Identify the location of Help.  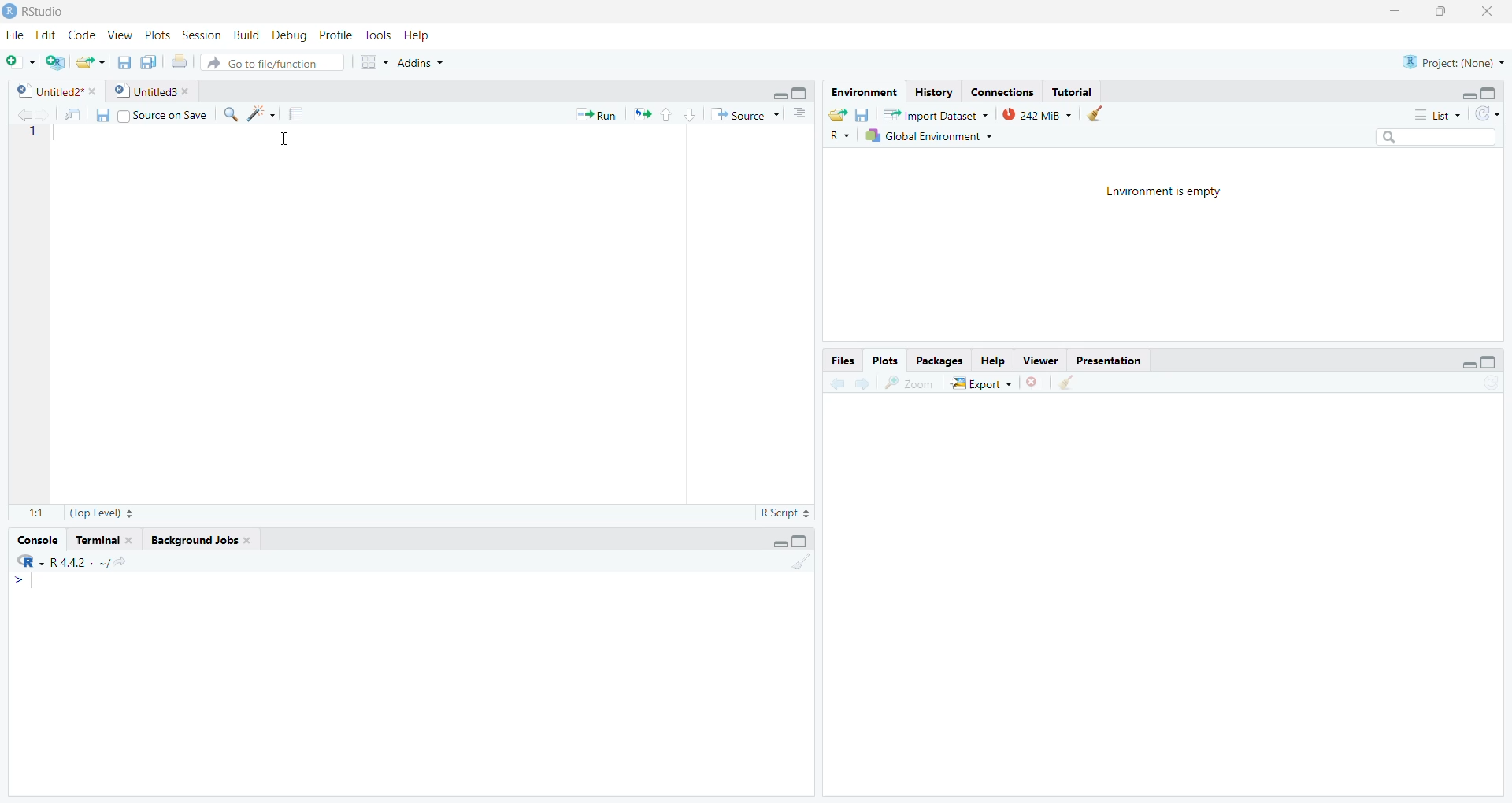
(992, 359).